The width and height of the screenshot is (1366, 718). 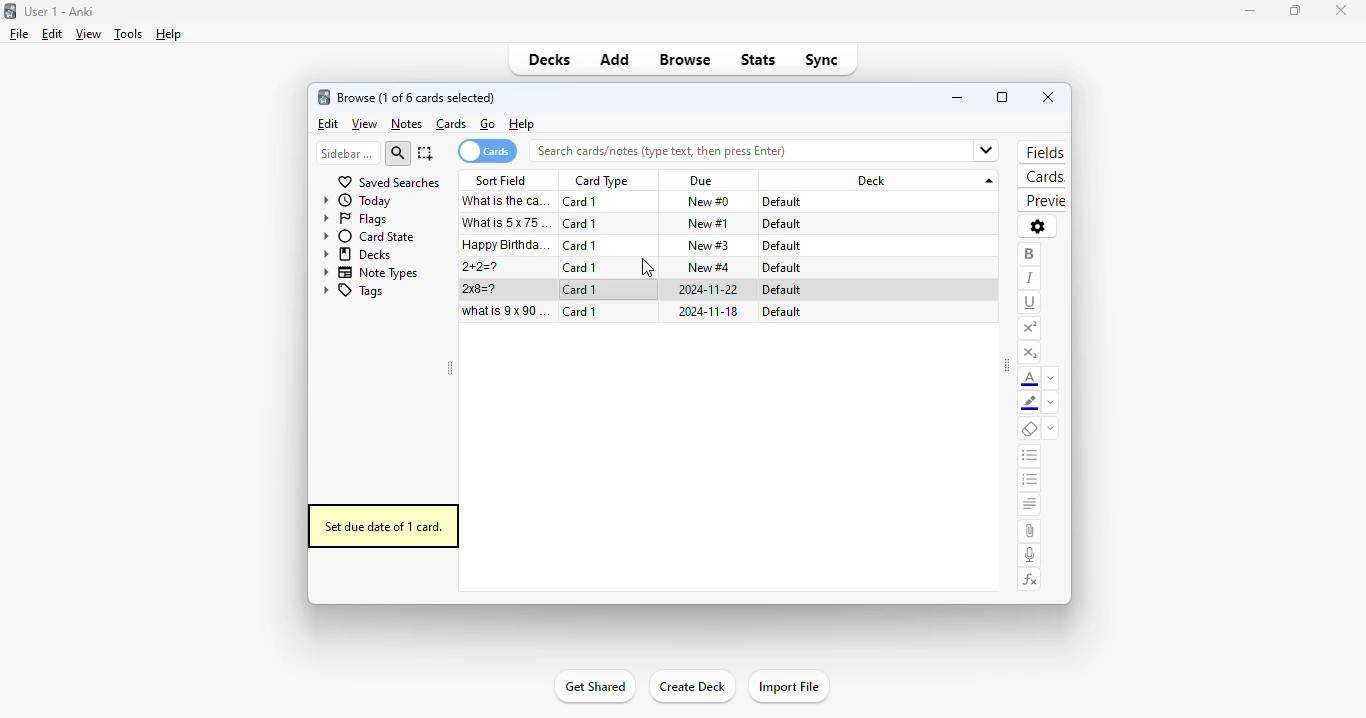 I want to click on tools, so click(x=127, y=35).